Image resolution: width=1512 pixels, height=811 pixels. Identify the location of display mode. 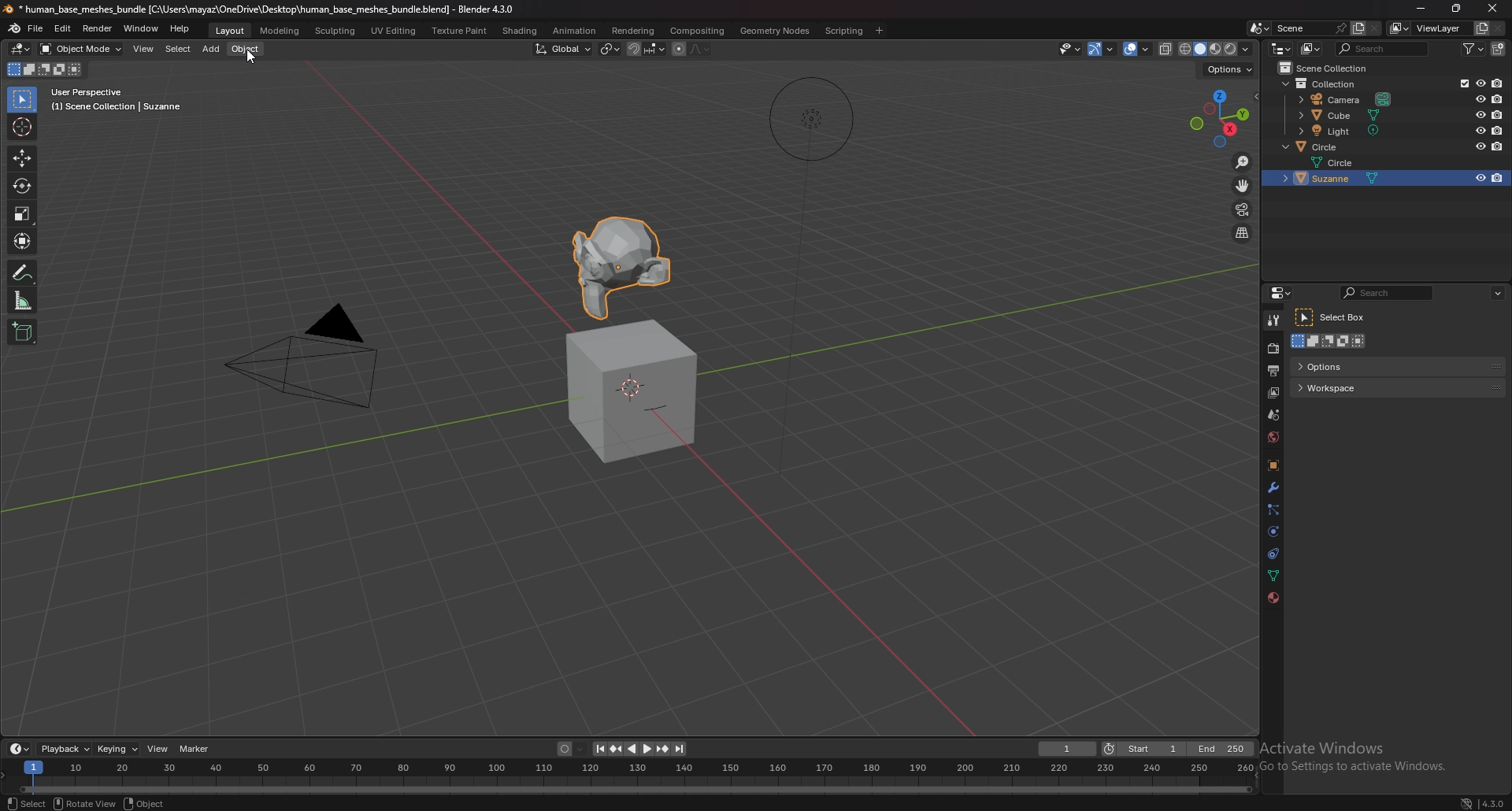
(1310, 49).